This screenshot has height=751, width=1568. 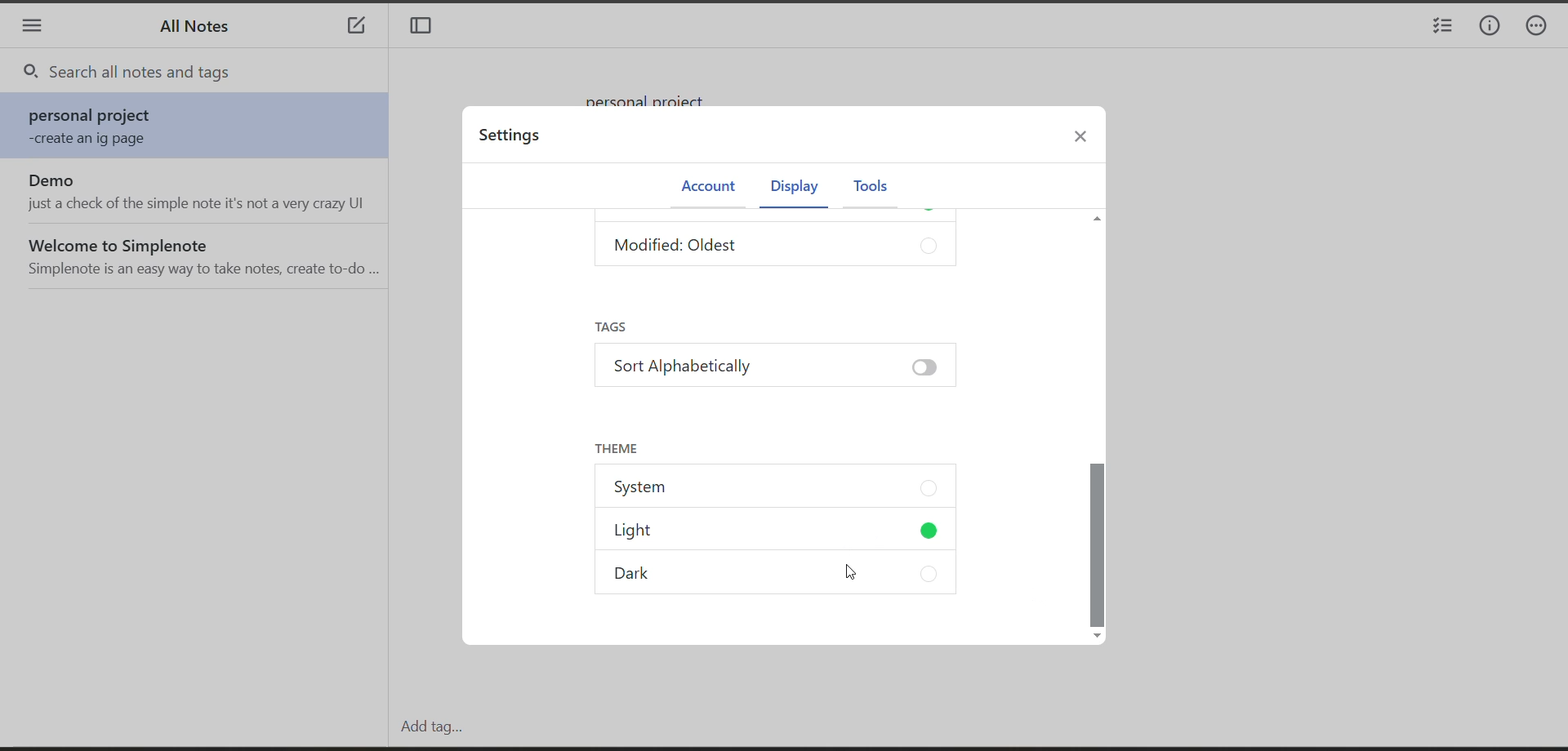 I want to click on vertical scroll bar, so click(x=1097, y=426).